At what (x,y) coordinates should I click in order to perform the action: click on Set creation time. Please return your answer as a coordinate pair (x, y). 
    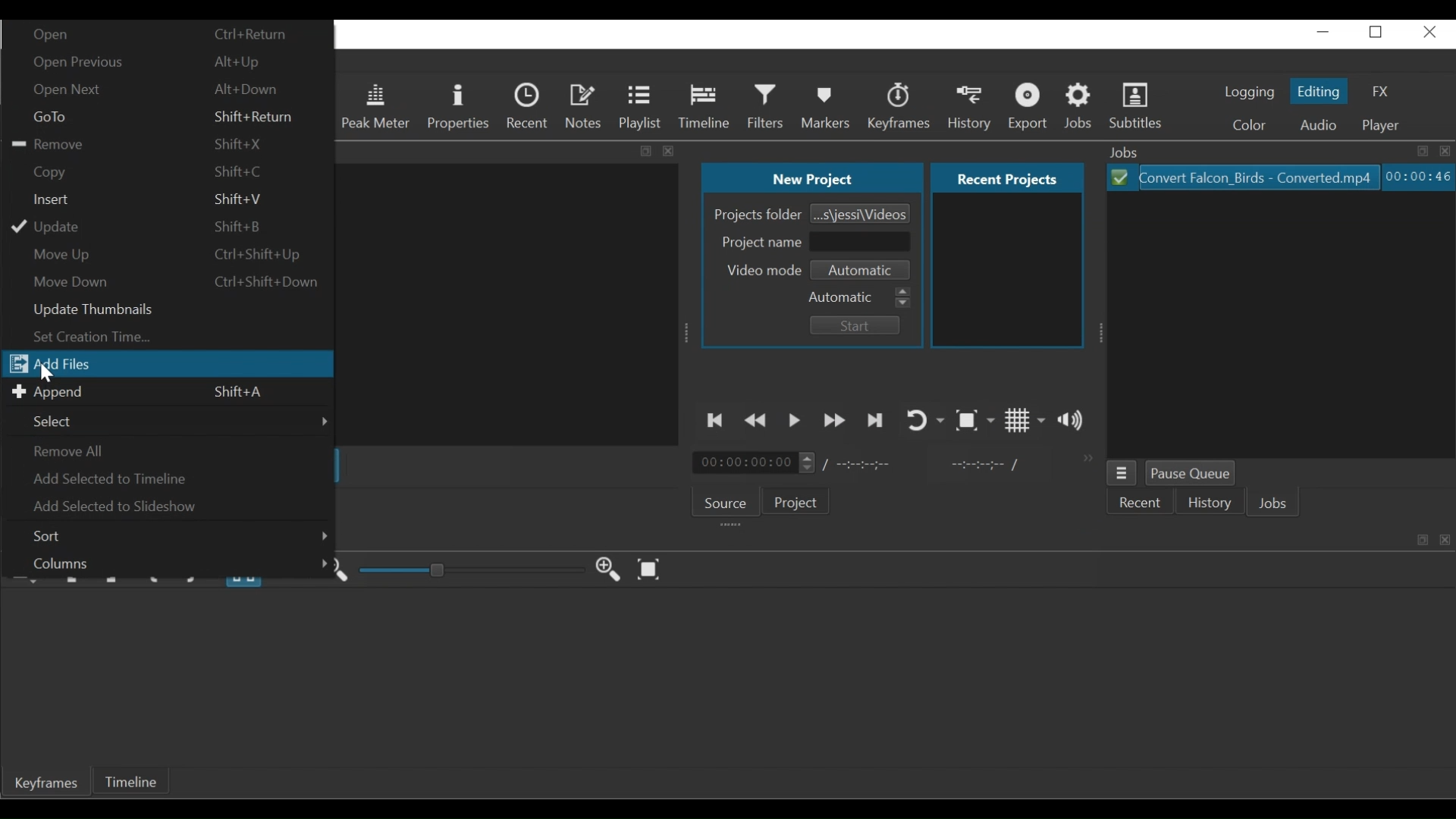
    Looking at the image, I should click on (172, 335).